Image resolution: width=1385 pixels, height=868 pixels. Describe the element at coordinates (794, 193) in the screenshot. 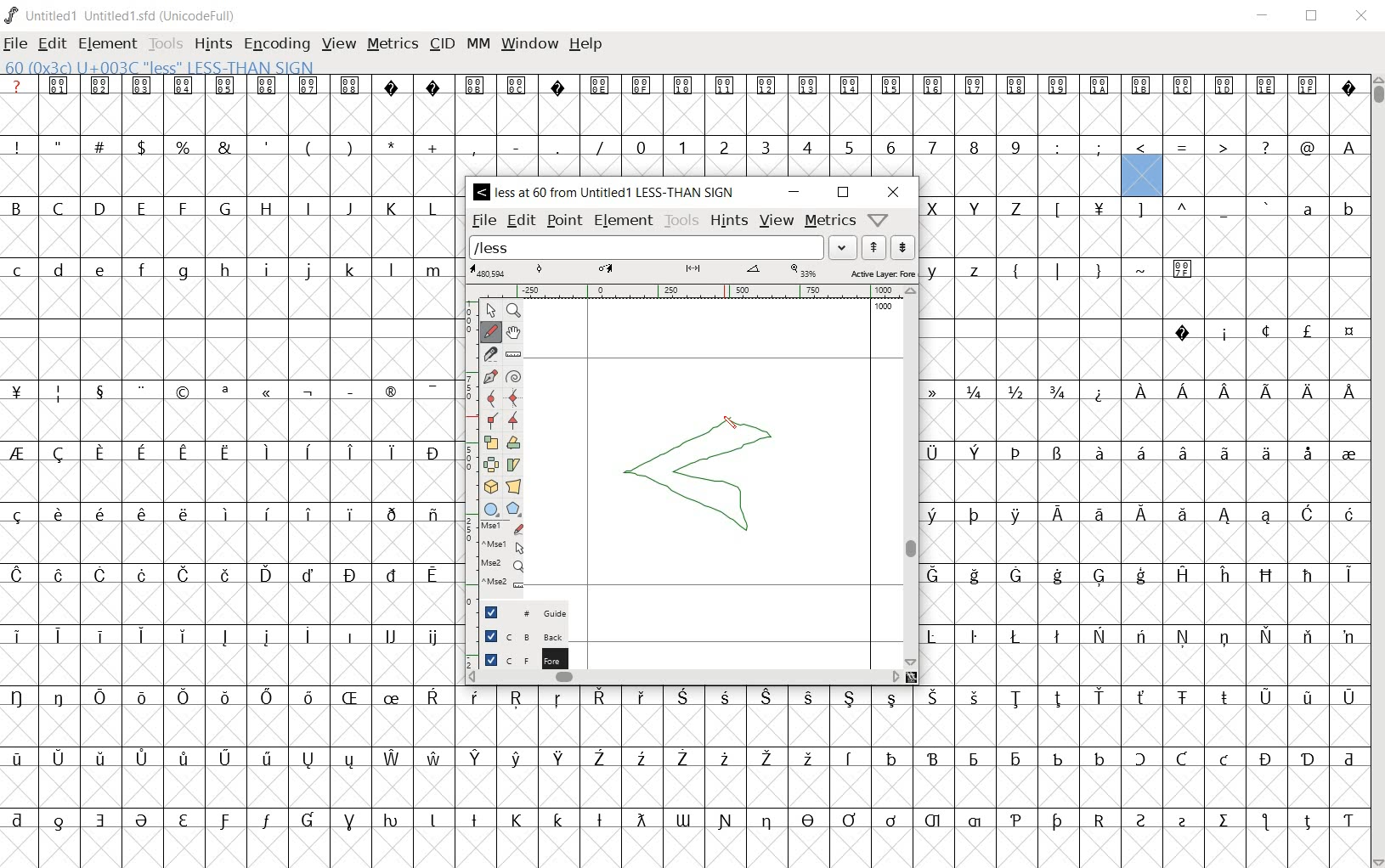

I see `minimize` at that location.